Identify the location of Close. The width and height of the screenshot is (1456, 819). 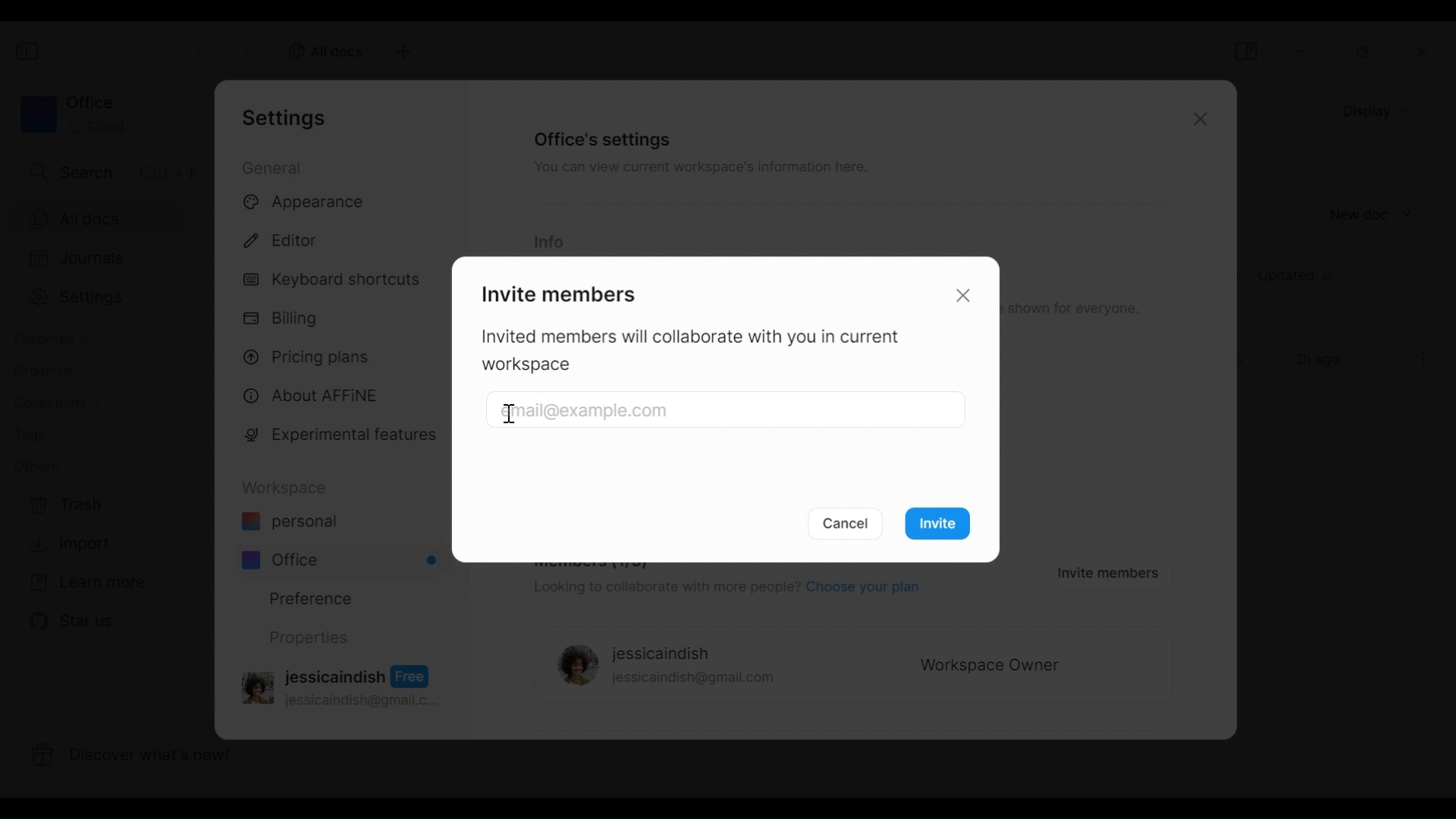
(1197, 121).